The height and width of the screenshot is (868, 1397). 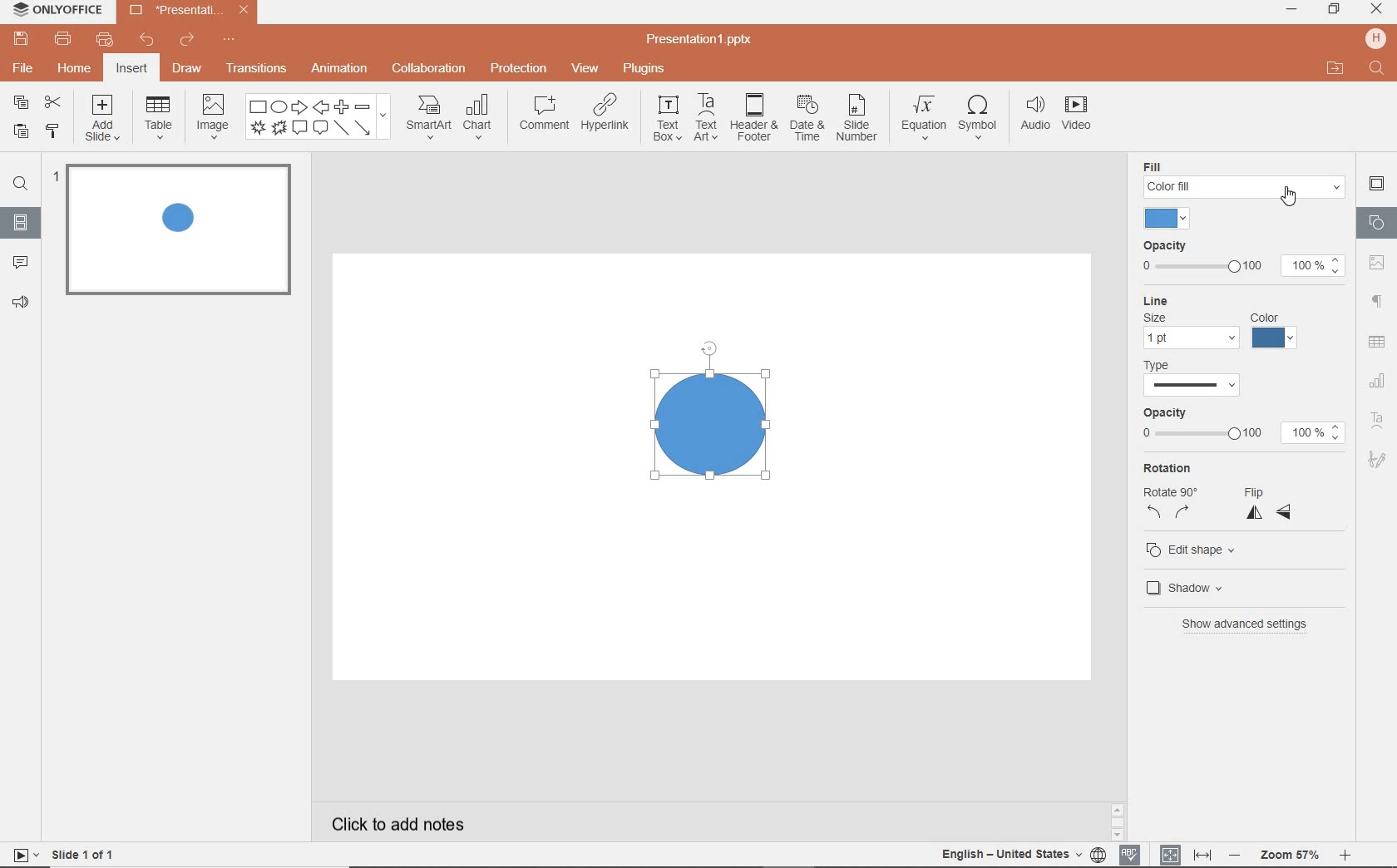 I want to click on Fill, so click(x=1243, y=167).